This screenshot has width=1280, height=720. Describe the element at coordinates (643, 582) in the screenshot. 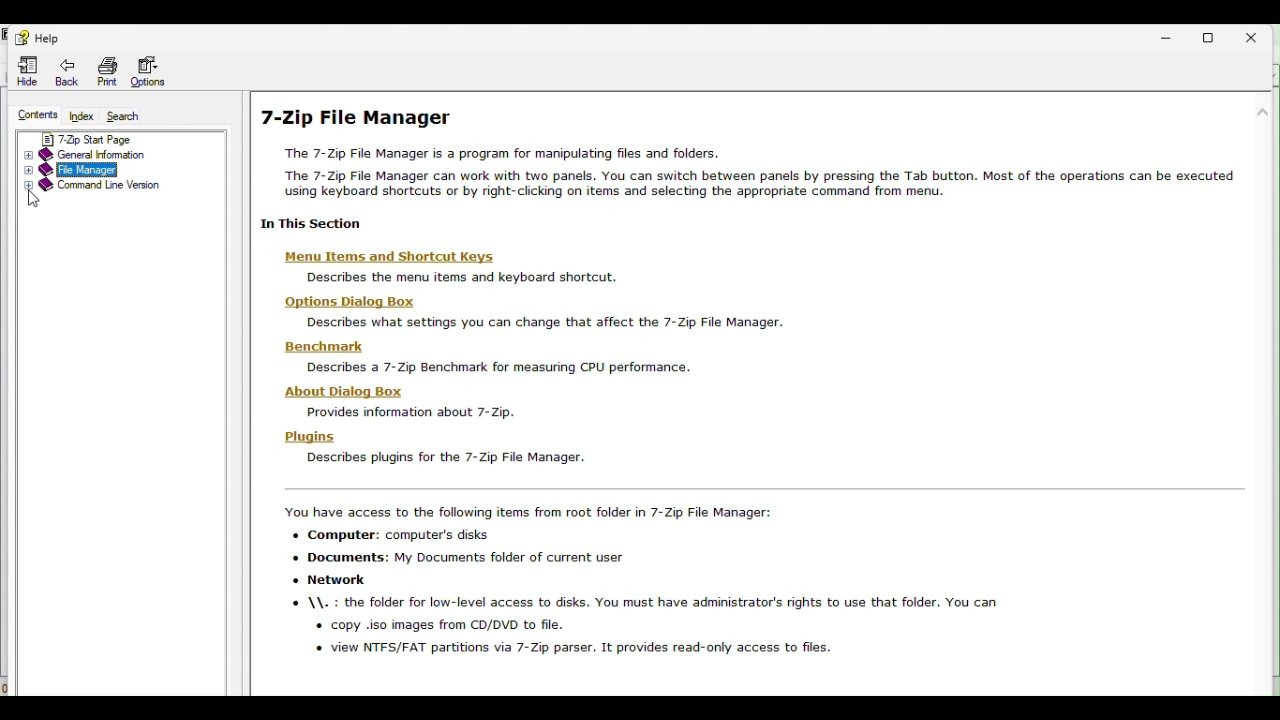

I see `You have access to the following items from root folder in 7-Zip File Manager:
+ Computer: computer's disks
+ Documents: My Documents folder of current user
* Network
© \\. : the folder for low-level access to disks. You must have administrator's rights to use that folder. You can
+ copy iso images from CD/DVD to file.
« view NTFS/FAT partitions via 7-Zip parser. It provides read-only access to files.` at that location.